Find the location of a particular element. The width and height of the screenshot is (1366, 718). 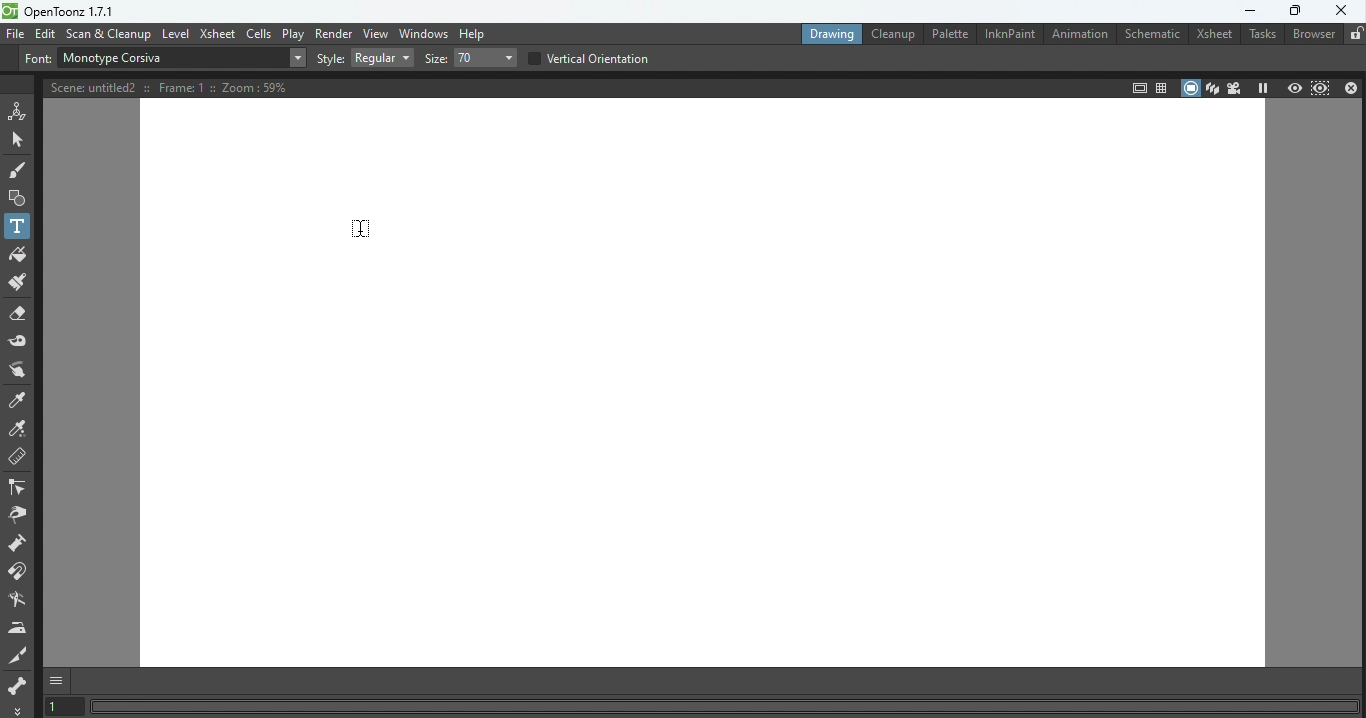

Style picker tool is located at coordinates (20, 399).